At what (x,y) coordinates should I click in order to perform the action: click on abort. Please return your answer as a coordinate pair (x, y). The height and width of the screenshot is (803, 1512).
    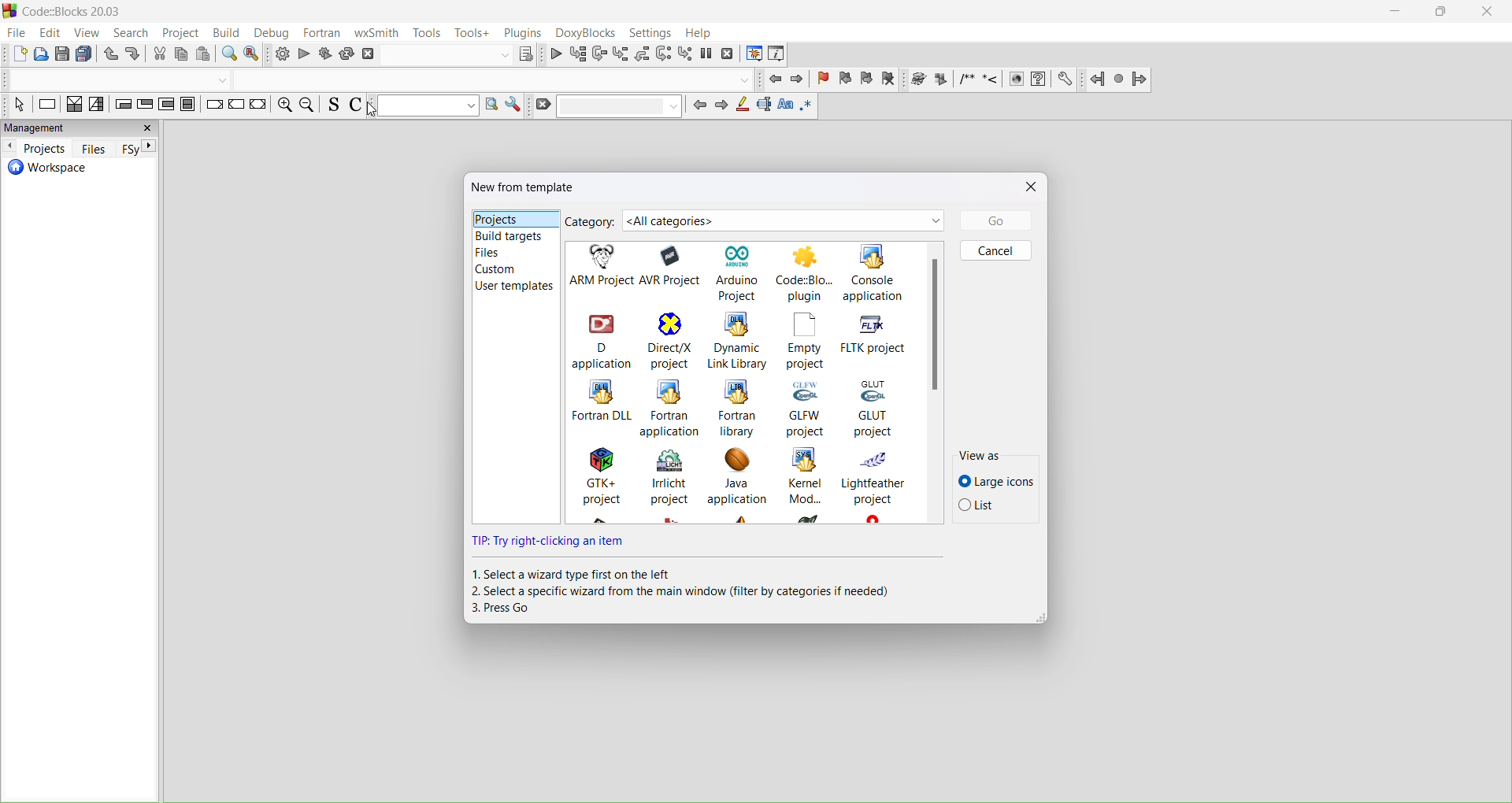
    Looking at the image, I should click on (369, 55).